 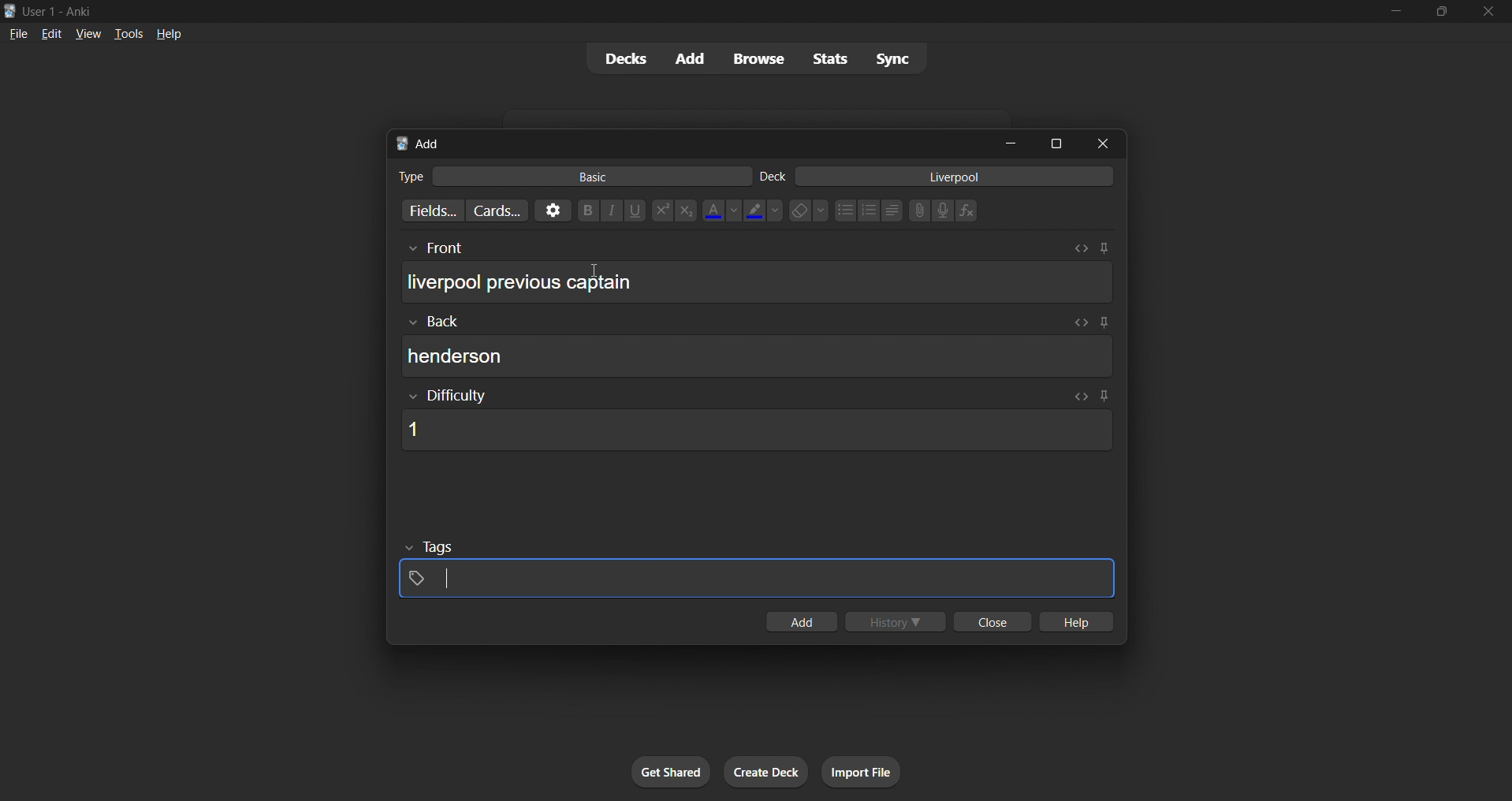 What do you see at coordinates (1078, 623) in the screenshot?
I see `hlep` at bounding box center [1078, 623].